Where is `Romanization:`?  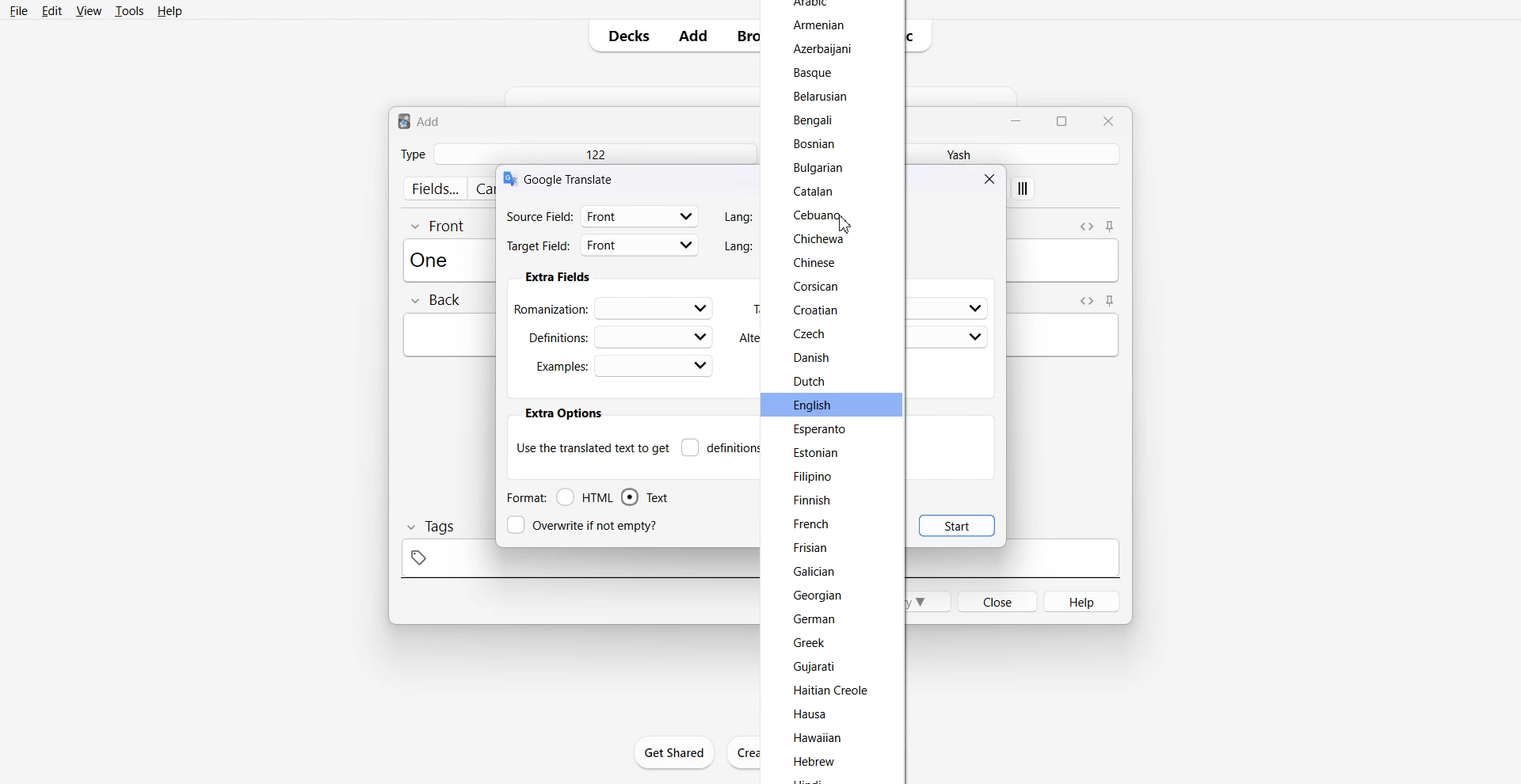
Romanization: is located at coordinates (616, 307).